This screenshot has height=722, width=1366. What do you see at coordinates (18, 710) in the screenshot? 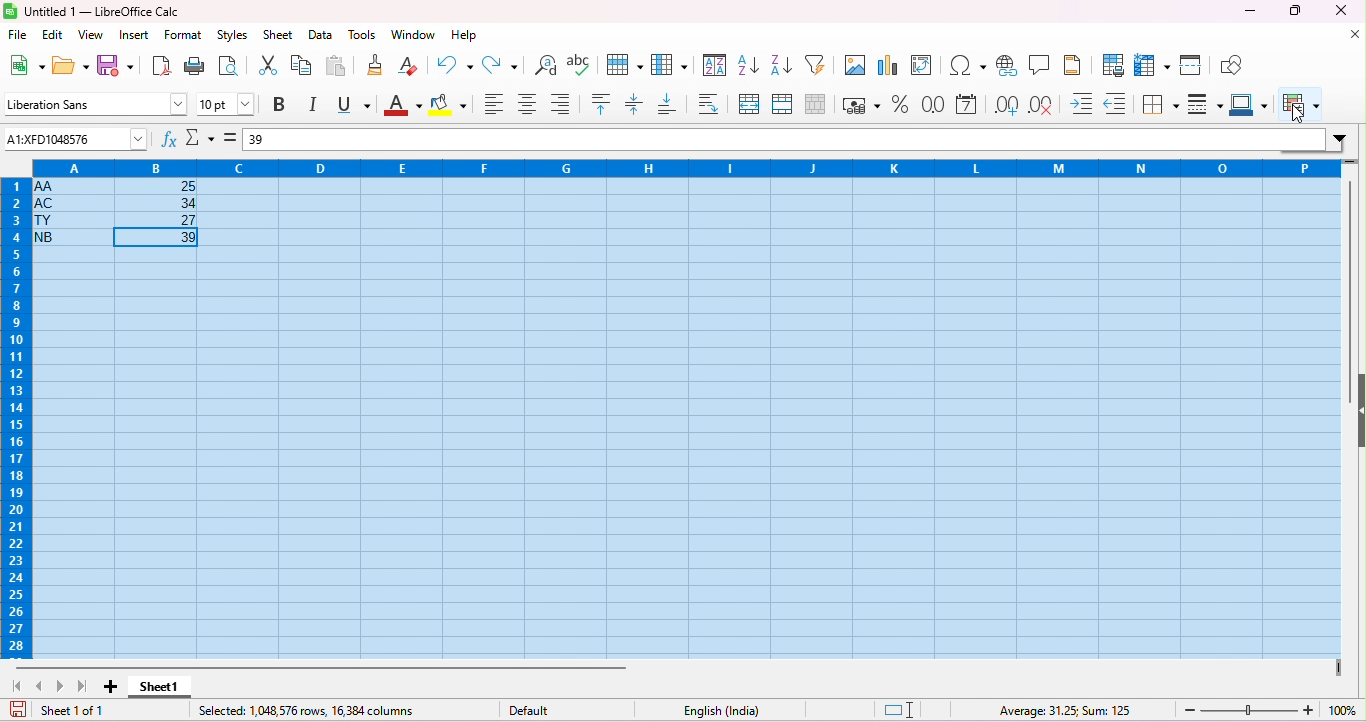
I see `save` at bounding box center [18, 710].